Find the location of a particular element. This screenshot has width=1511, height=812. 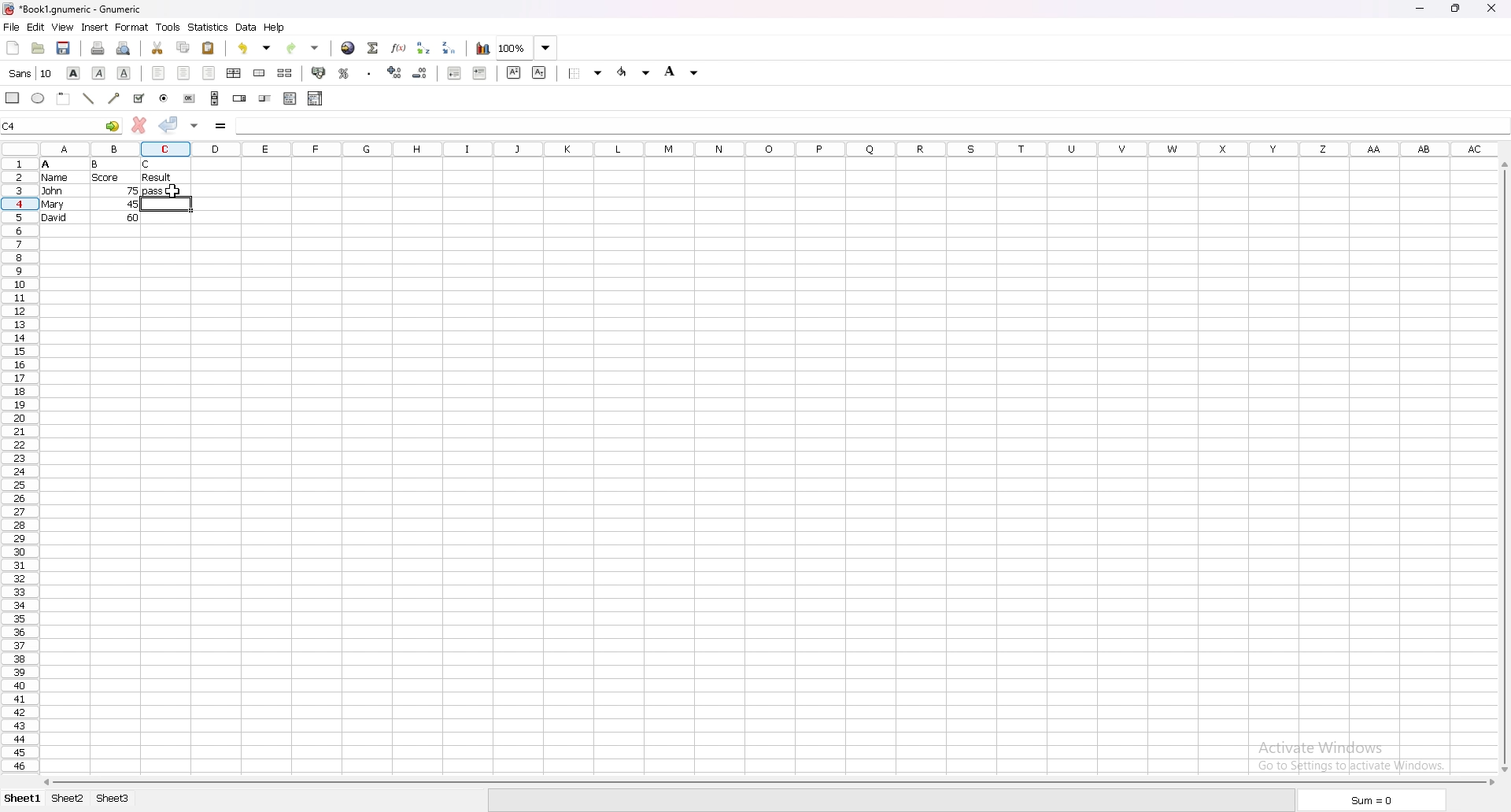

thousand separator is located at coordinates (371, 74).